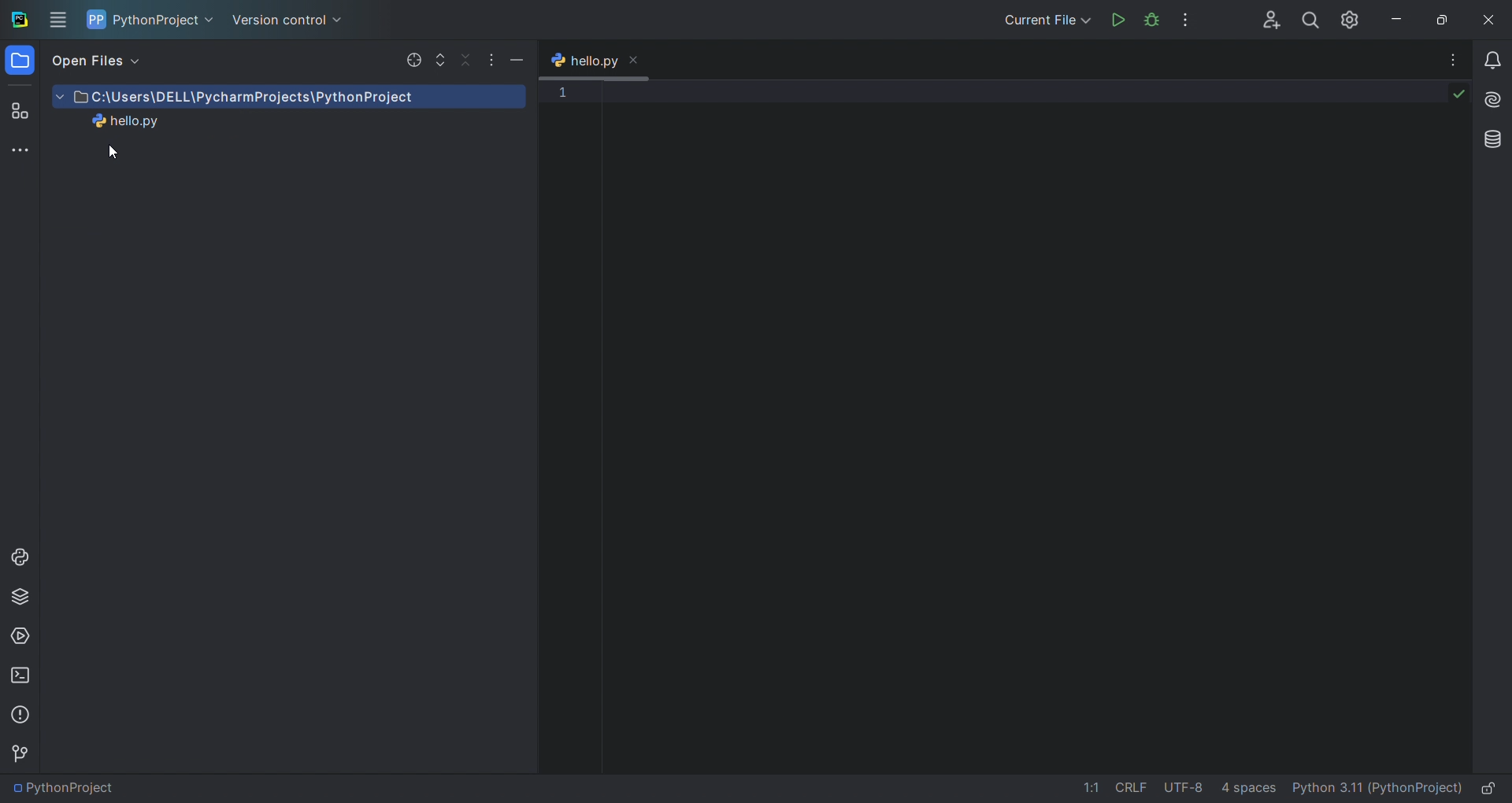 The image size is (1512, 803). Describe the element at coordinates (1171, 790) in the screenshot. I see `file data` at that location.